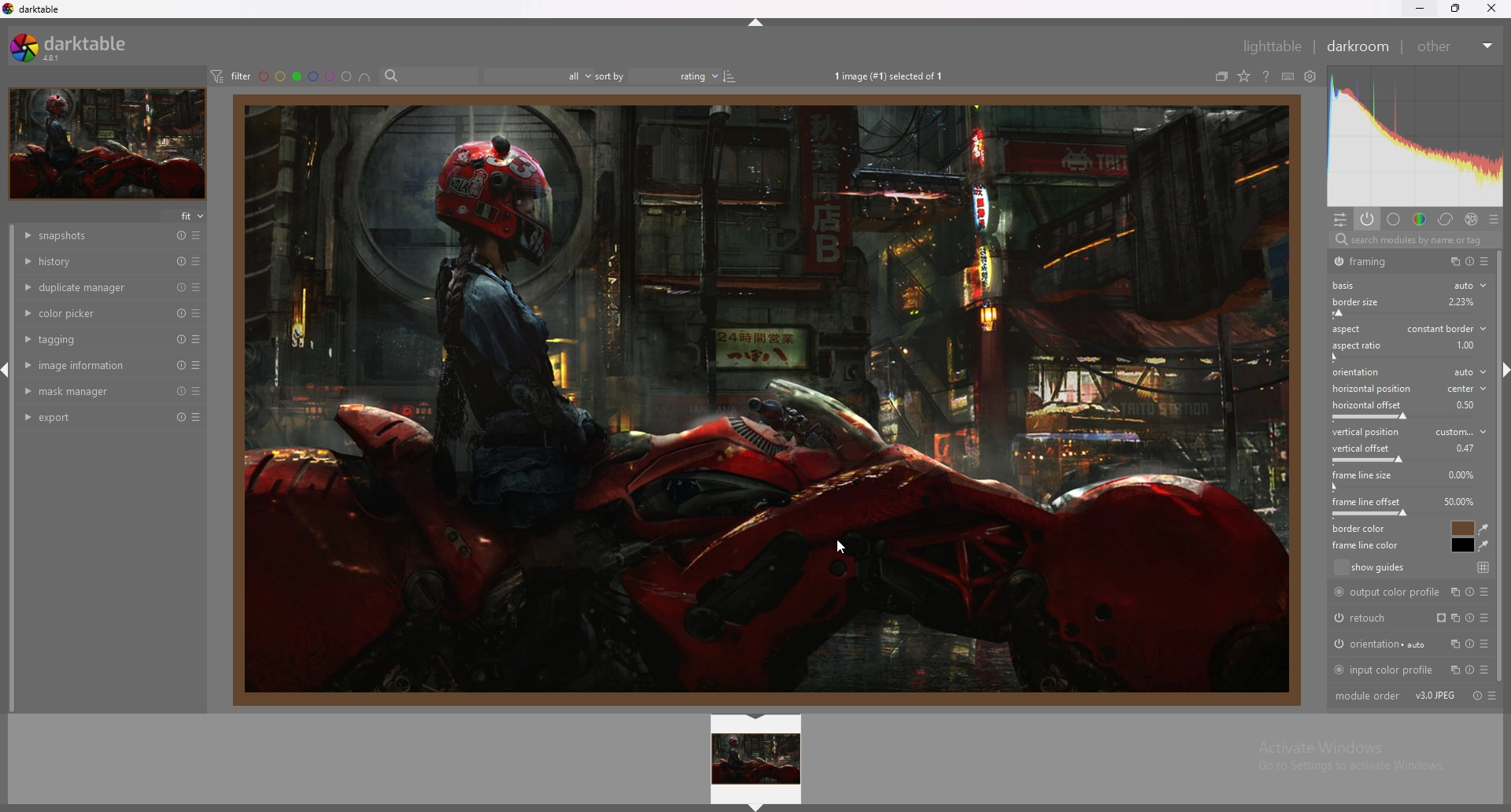 The image size is (1511, 812). Describe the element at coordinates (1349, 286) in the screenshot. I see `basis` at that location.